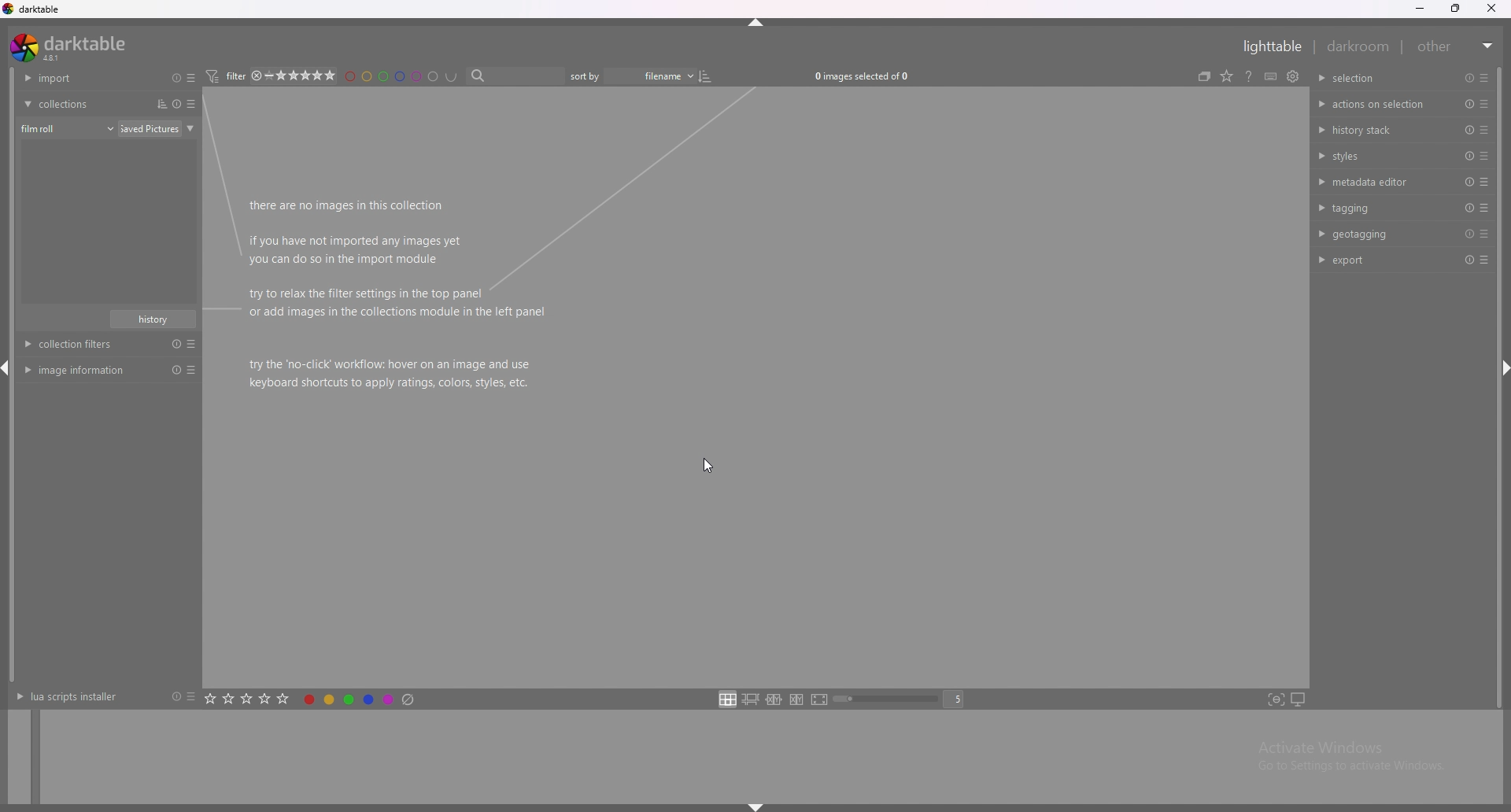  Describe the element at coordinates (1468, 130) in the screenshot. I see `preset` at that location.